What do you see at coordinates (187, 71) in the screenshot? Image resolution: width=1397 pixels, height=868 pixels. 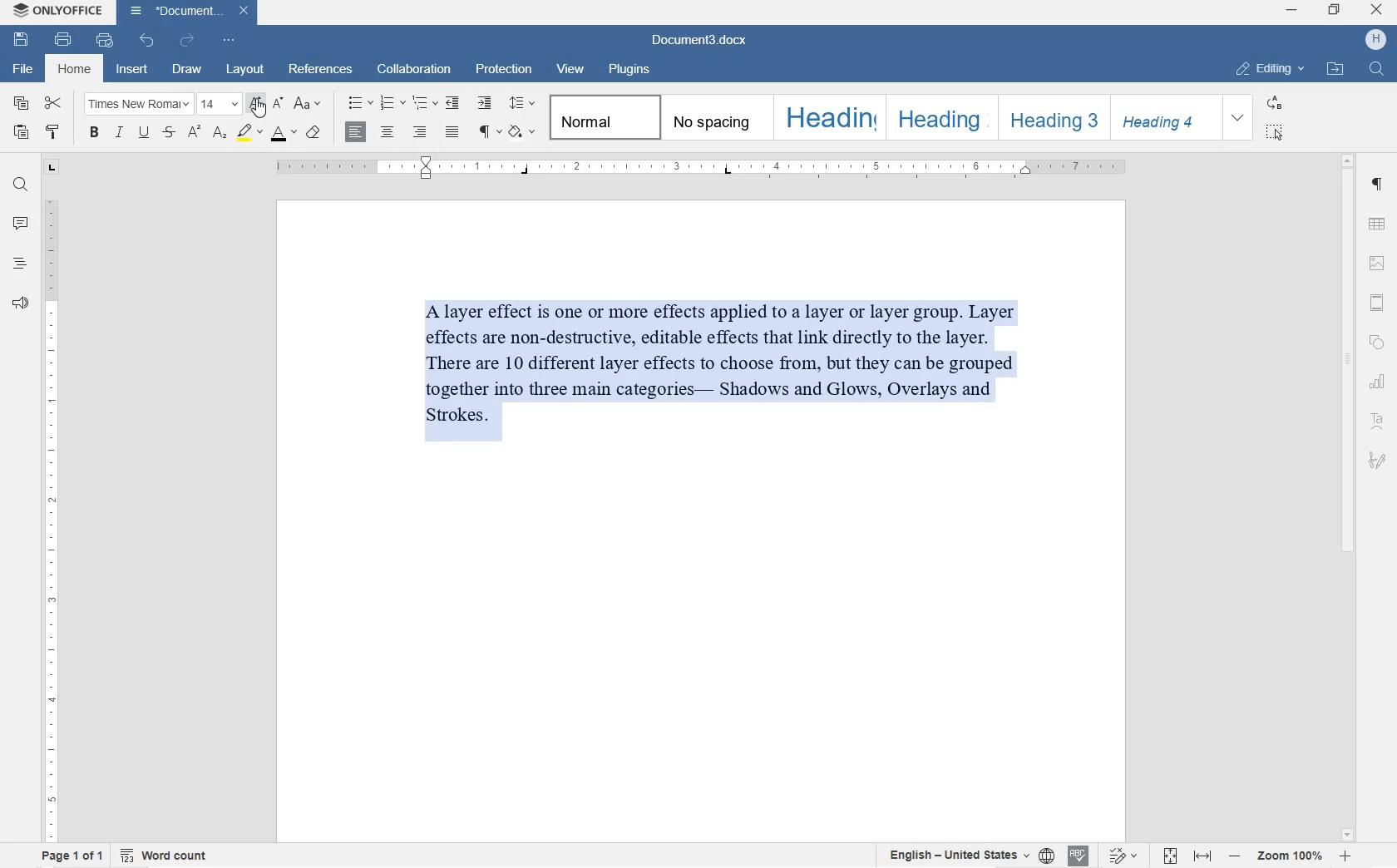 I see `draw` at bounding box center [187, 71].